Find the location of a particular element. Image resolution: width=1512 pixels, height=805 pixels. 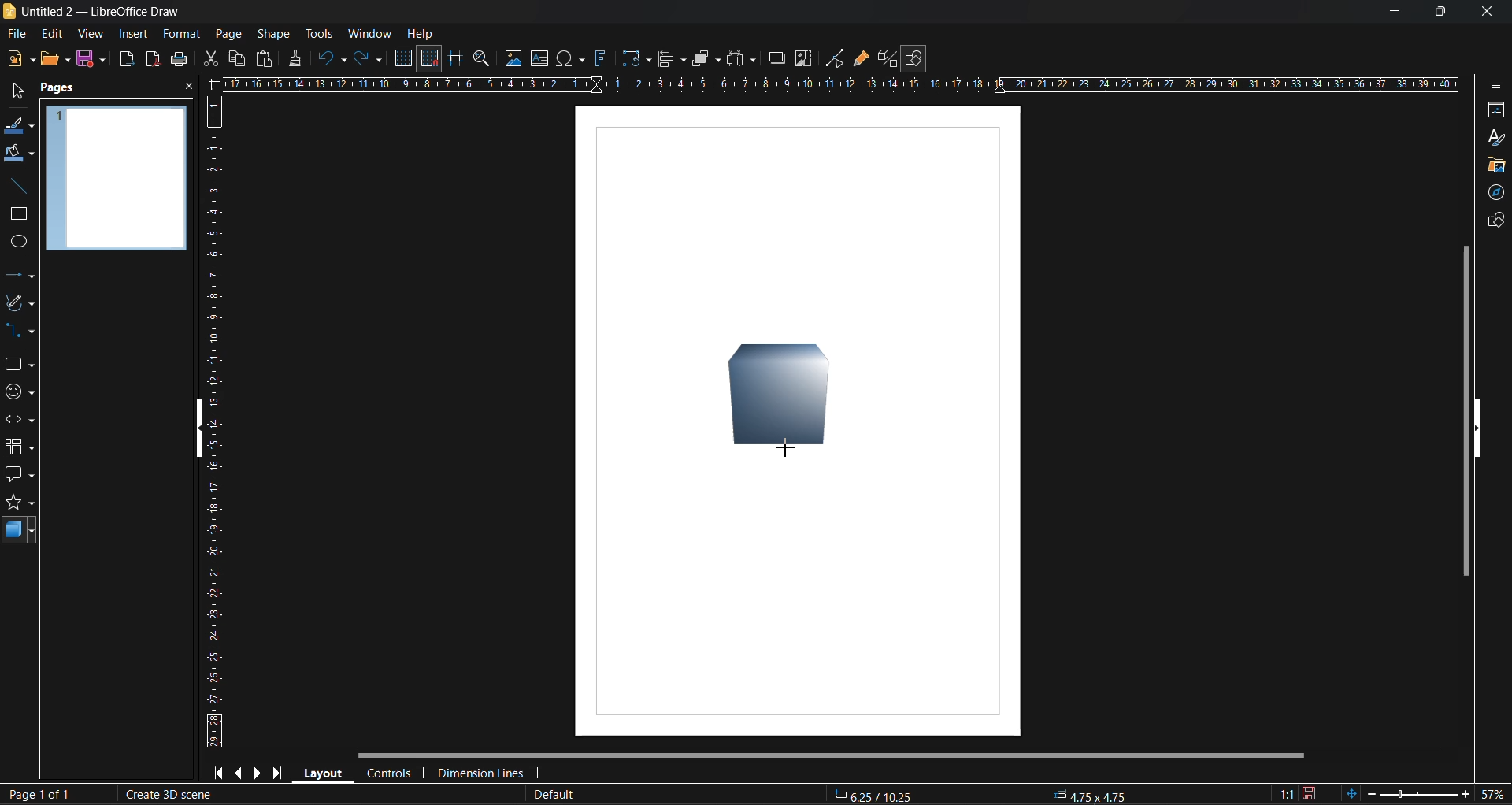

shadow is located at coordinates (775, 57).